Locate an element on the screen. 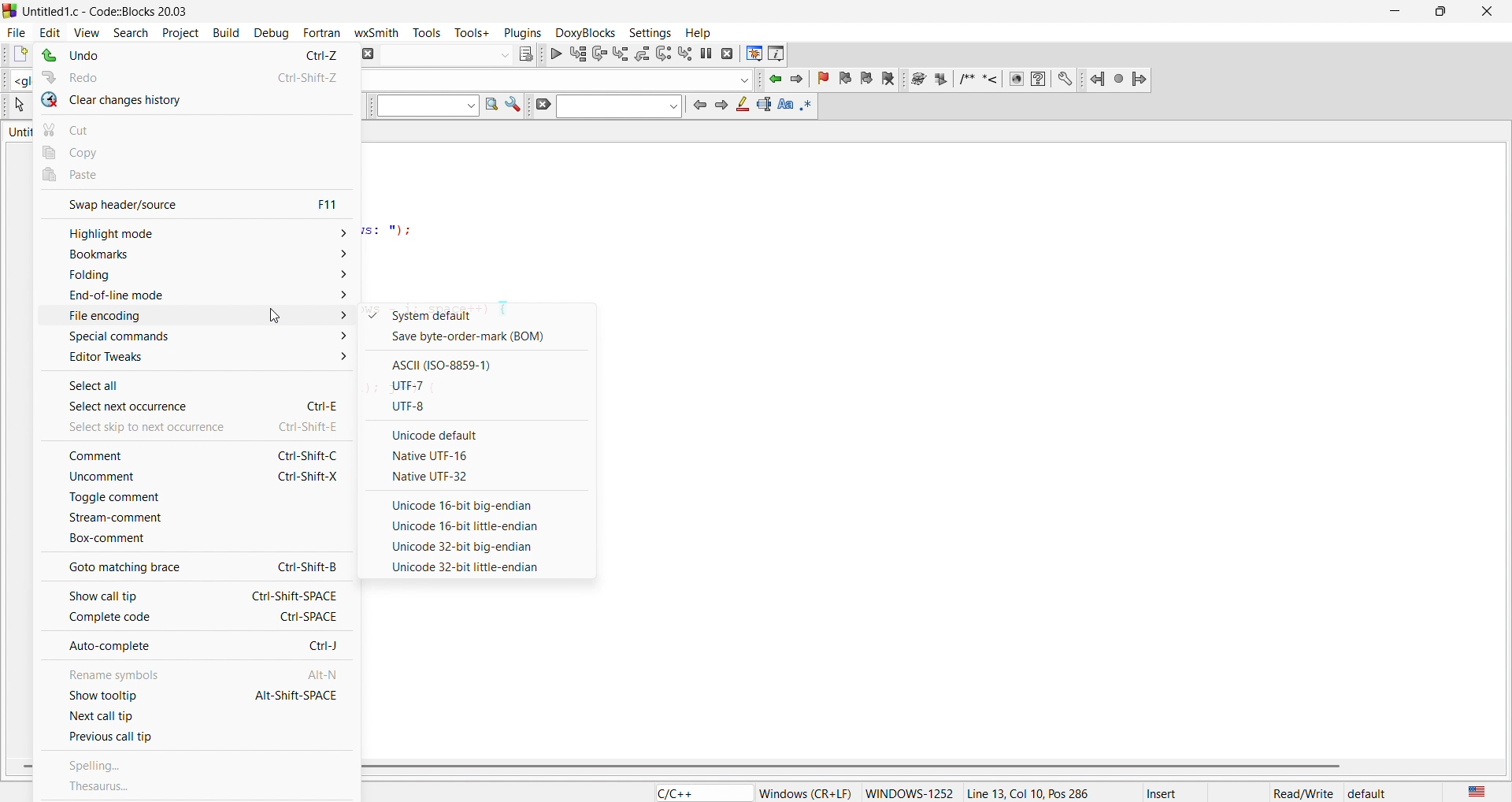 This screenshot has height=802, width=1512. LANGUAGE is located at coordinates (1477, 793).